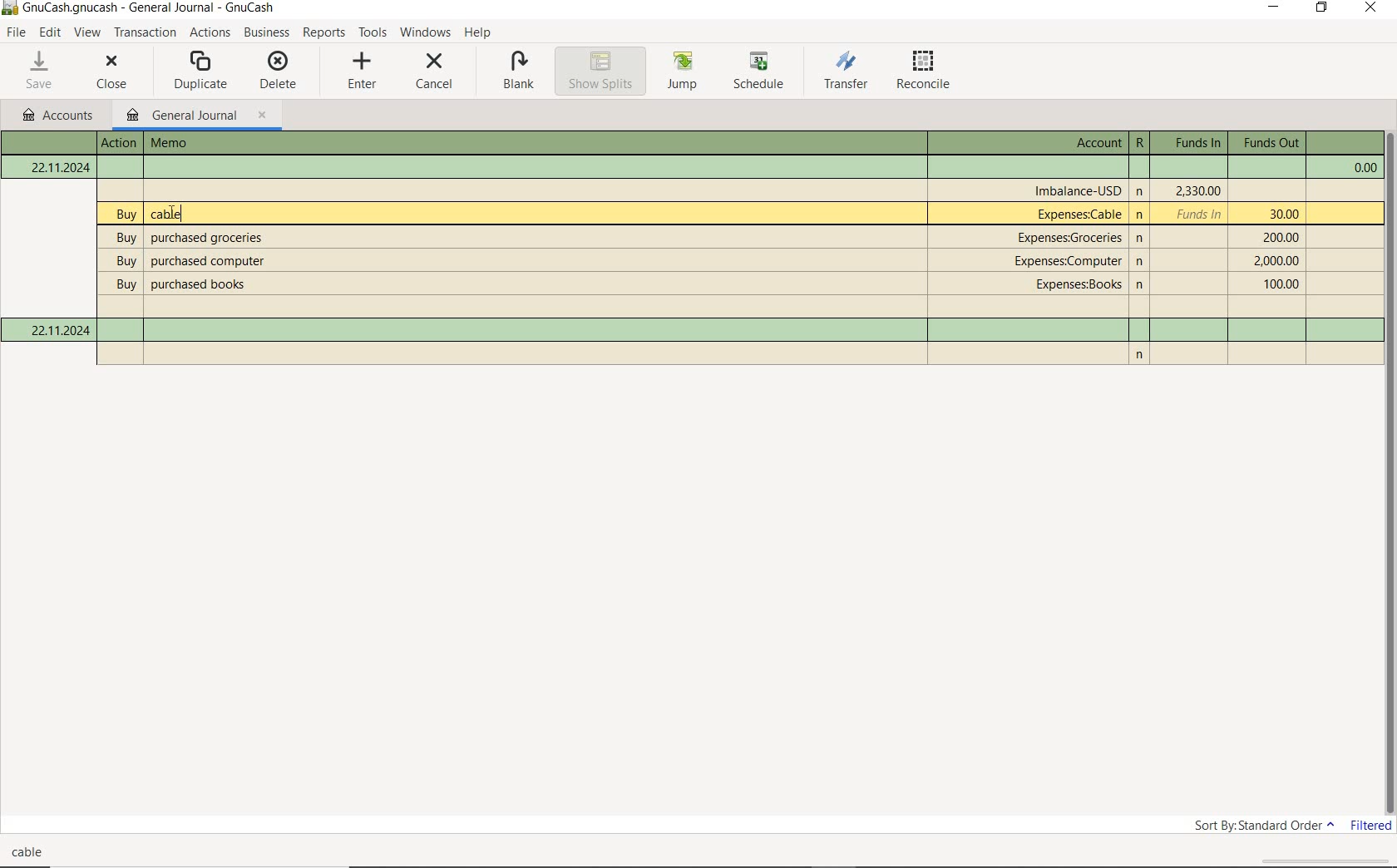 This screenshot has width=1397, height=868. I want to click on Cursor, so click(172, 211).